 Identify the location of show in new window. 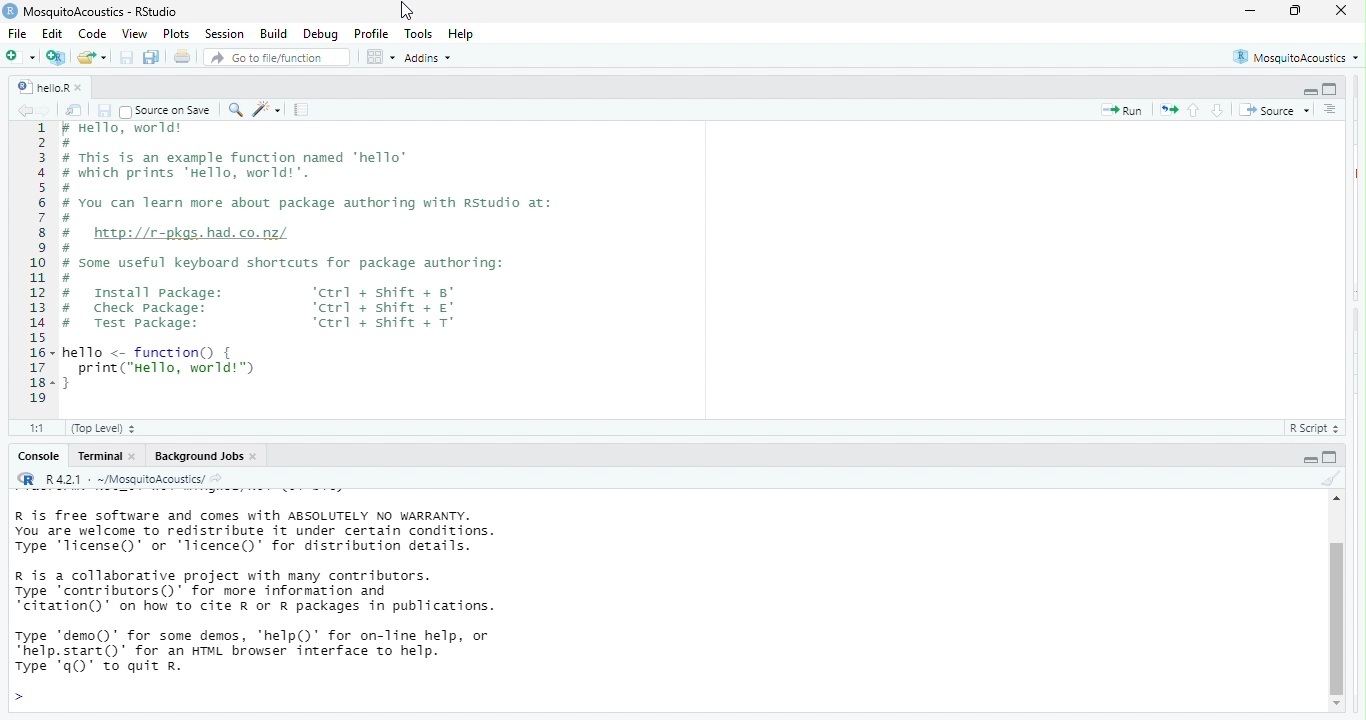
(72, 111).